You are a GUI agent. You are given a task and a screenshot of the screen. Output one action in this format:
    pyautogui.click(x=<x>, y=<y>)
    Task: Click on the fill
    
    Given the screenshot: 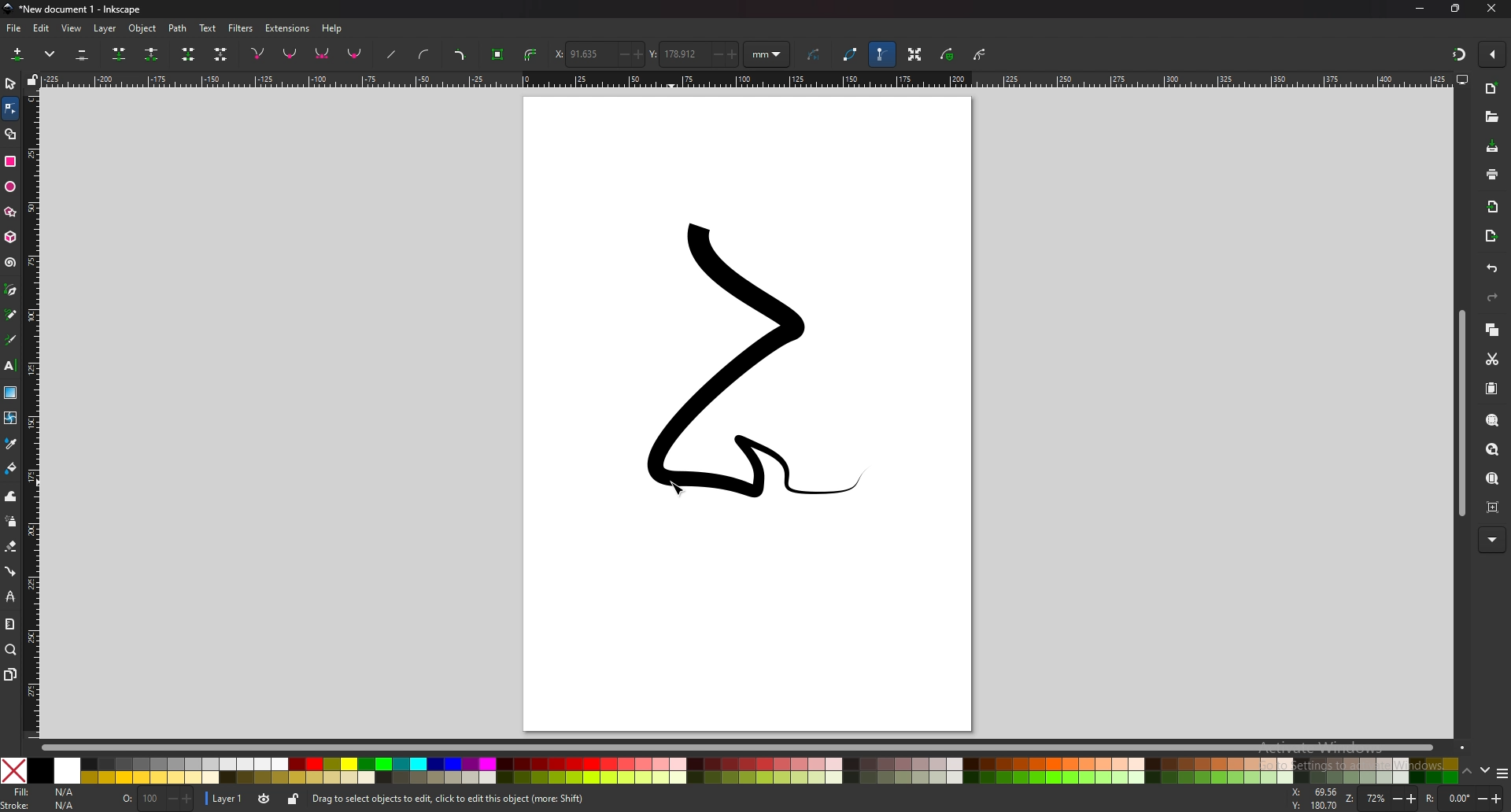 What is the action you would take?
    pyautogui.click(x=43, y=792)
    